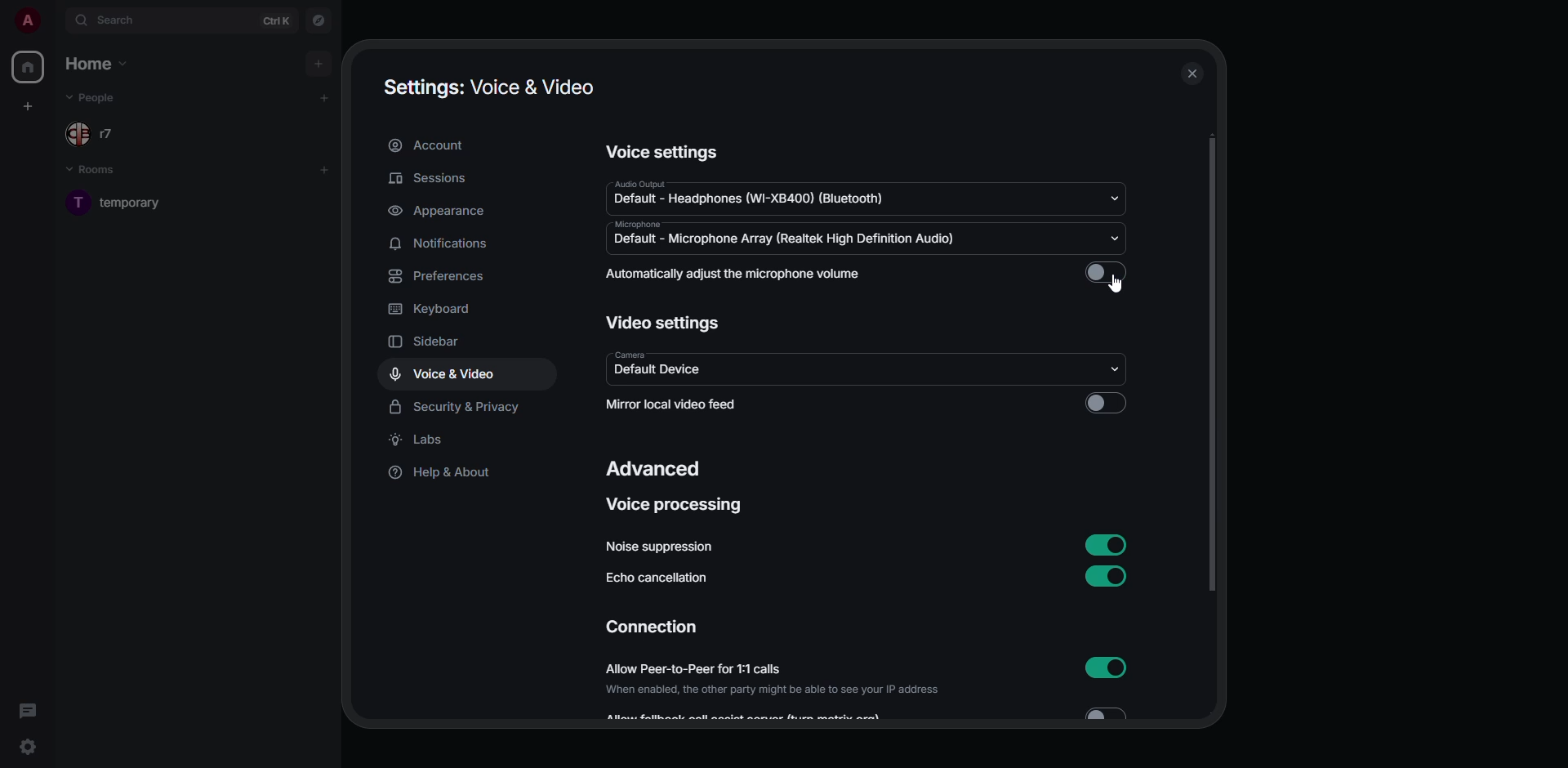 Image resolution: width=1568 pixels, height=768 pixels. Describe the element at coordinates (741, 200) in the screenshot. I see `Default - Headphones (WI-XB400) (Bluetooth)` at that location.